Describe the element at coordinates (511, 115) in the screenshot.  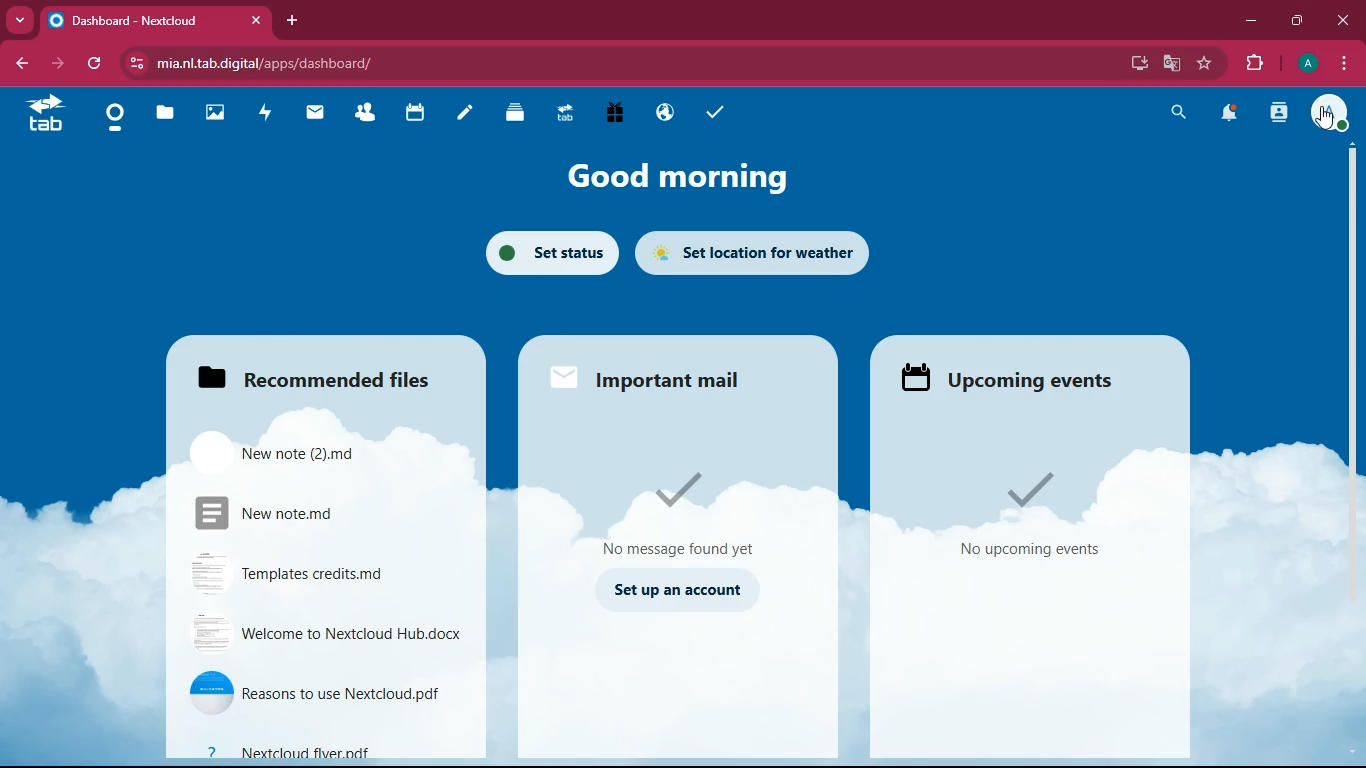
I see `layers` at that location.